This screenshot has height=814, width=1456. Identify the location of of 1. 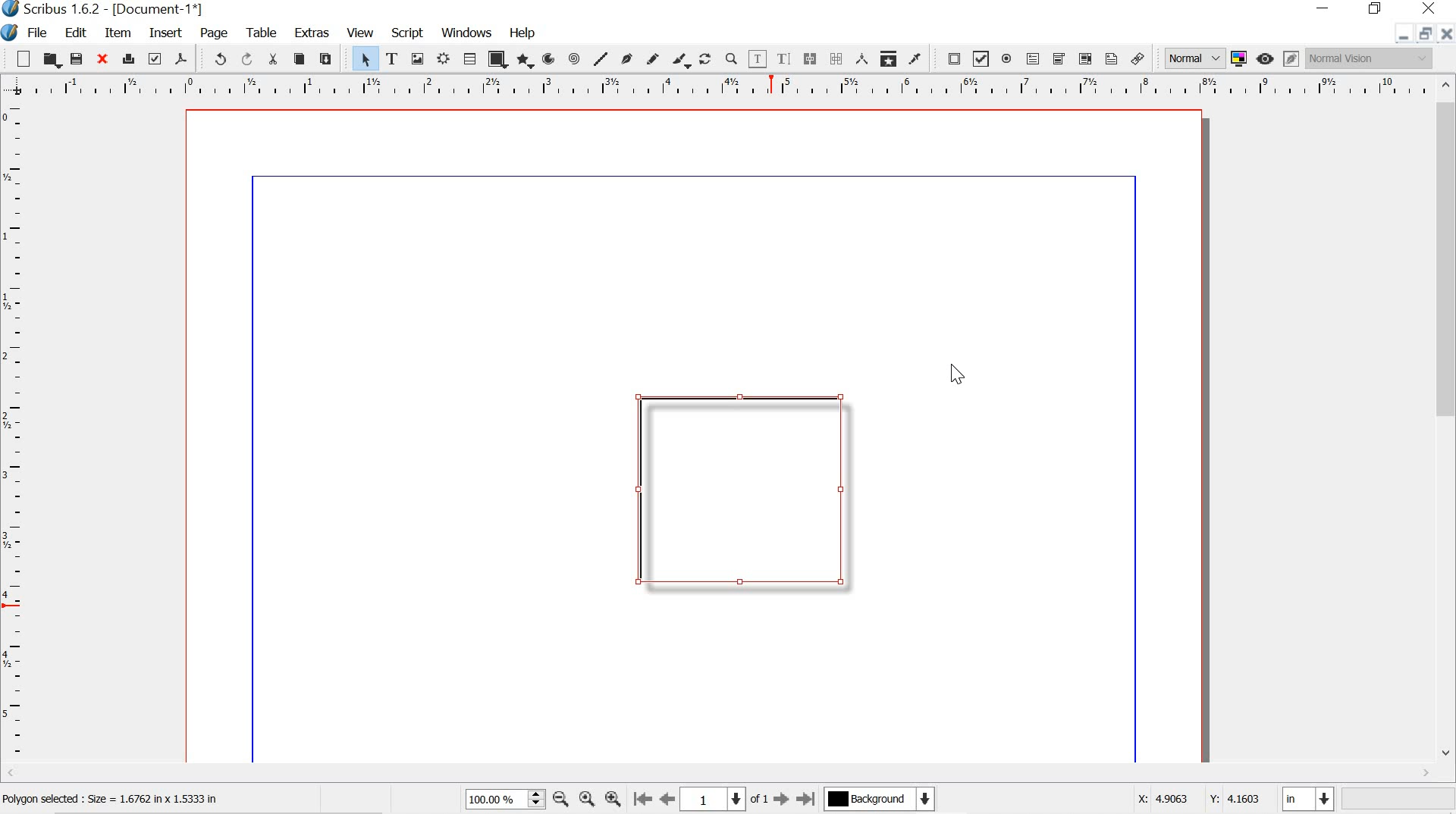
(760, 800).